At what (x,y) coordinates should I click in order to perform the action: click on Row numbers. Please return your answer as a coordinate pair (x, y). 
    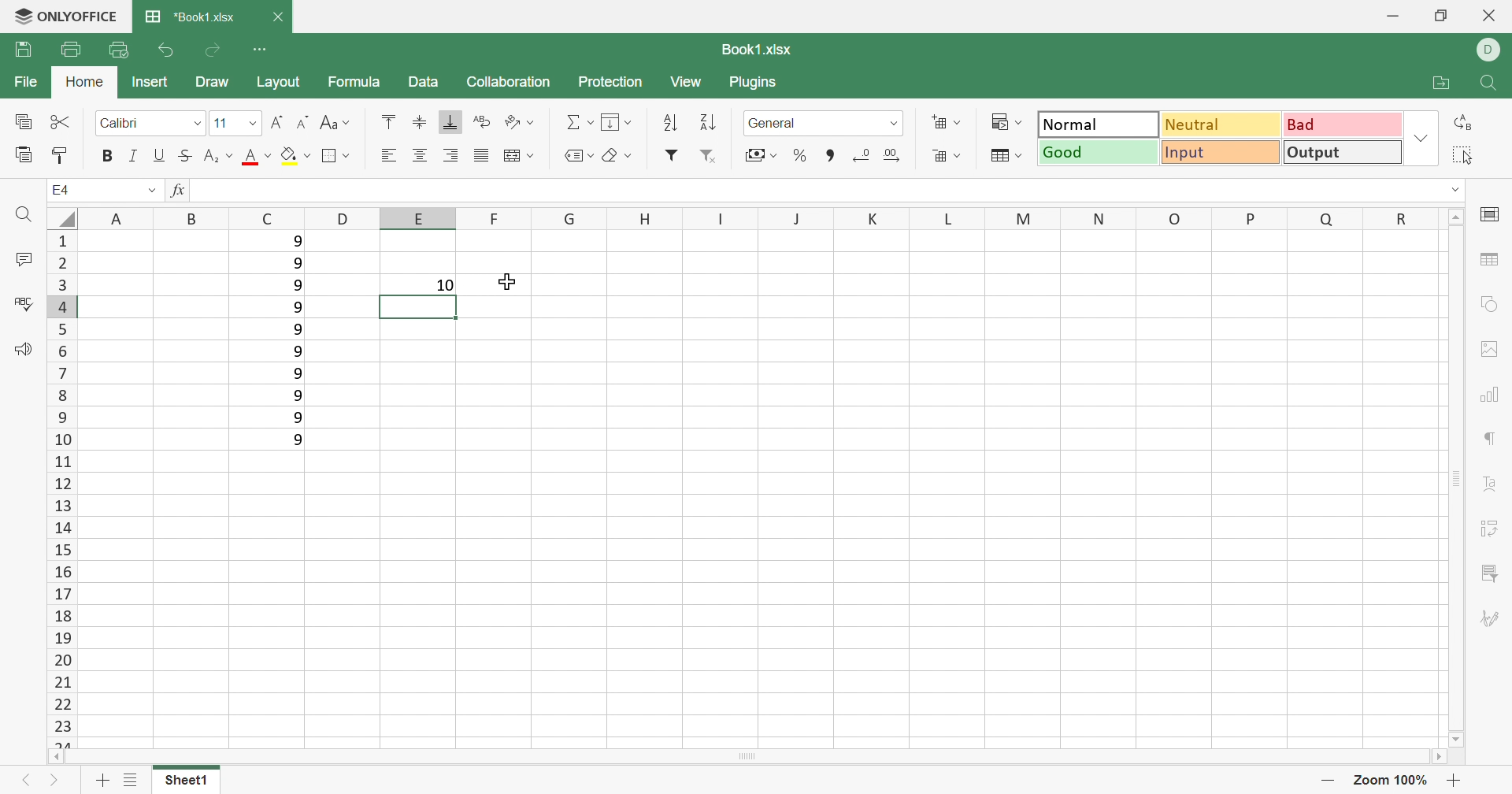
    Looking at the image, I should click on (61, 488).